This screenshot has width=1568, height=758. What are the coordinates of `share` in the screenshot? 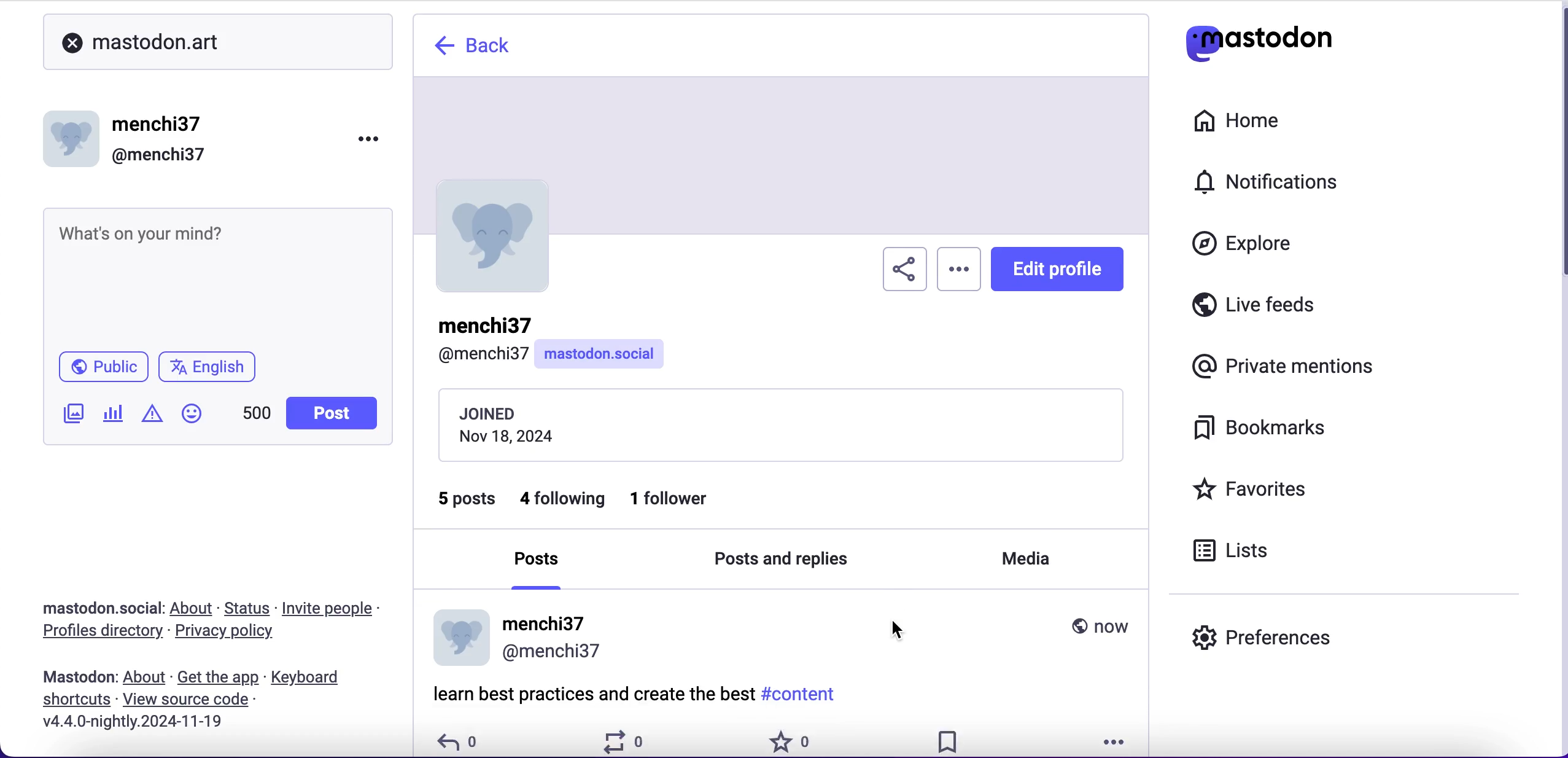 It's located at (899, 273).